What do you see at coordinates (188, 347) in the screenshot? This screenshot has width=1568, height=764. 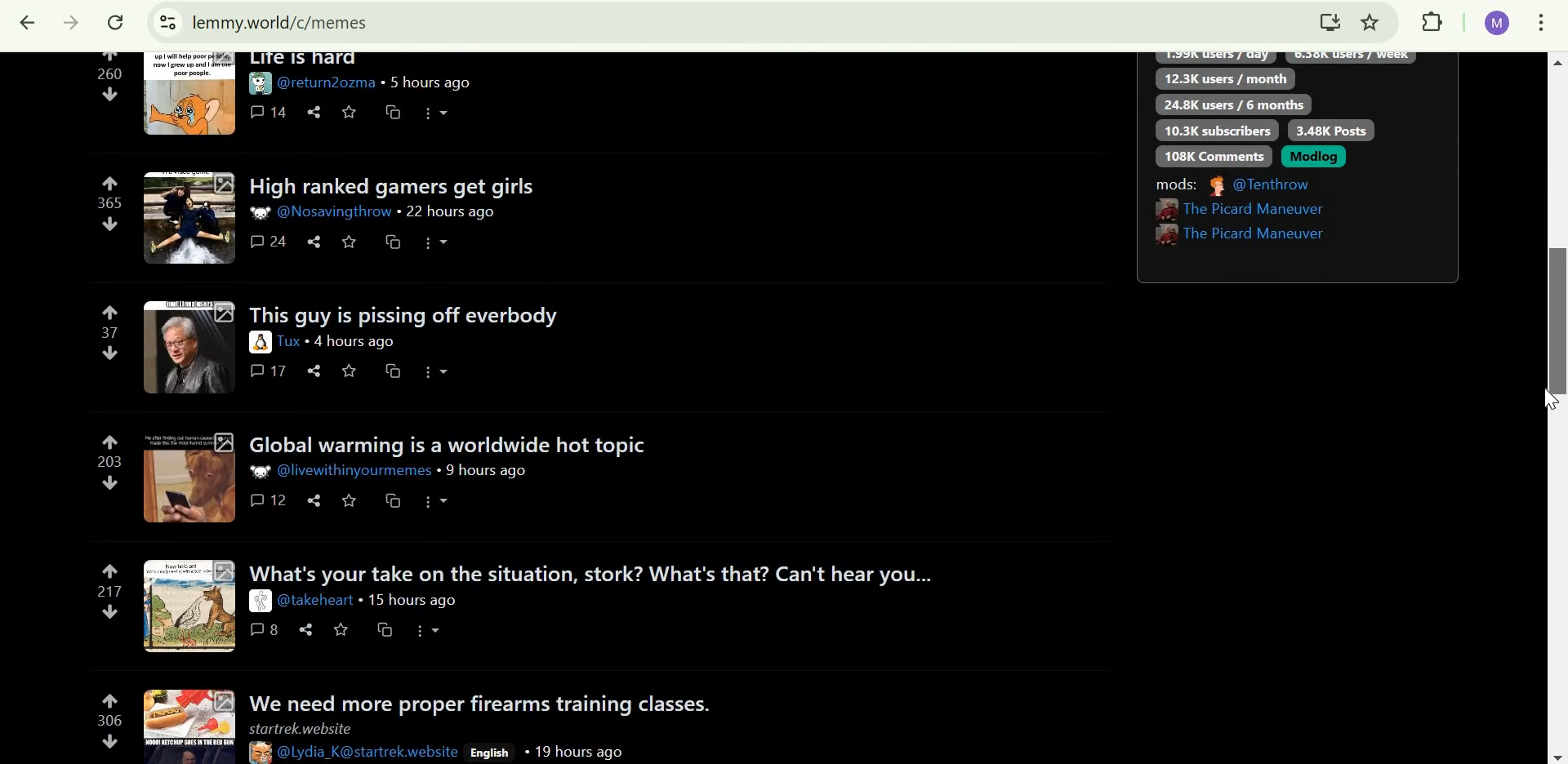 I see `expand here` at bounding box center [188, 347].